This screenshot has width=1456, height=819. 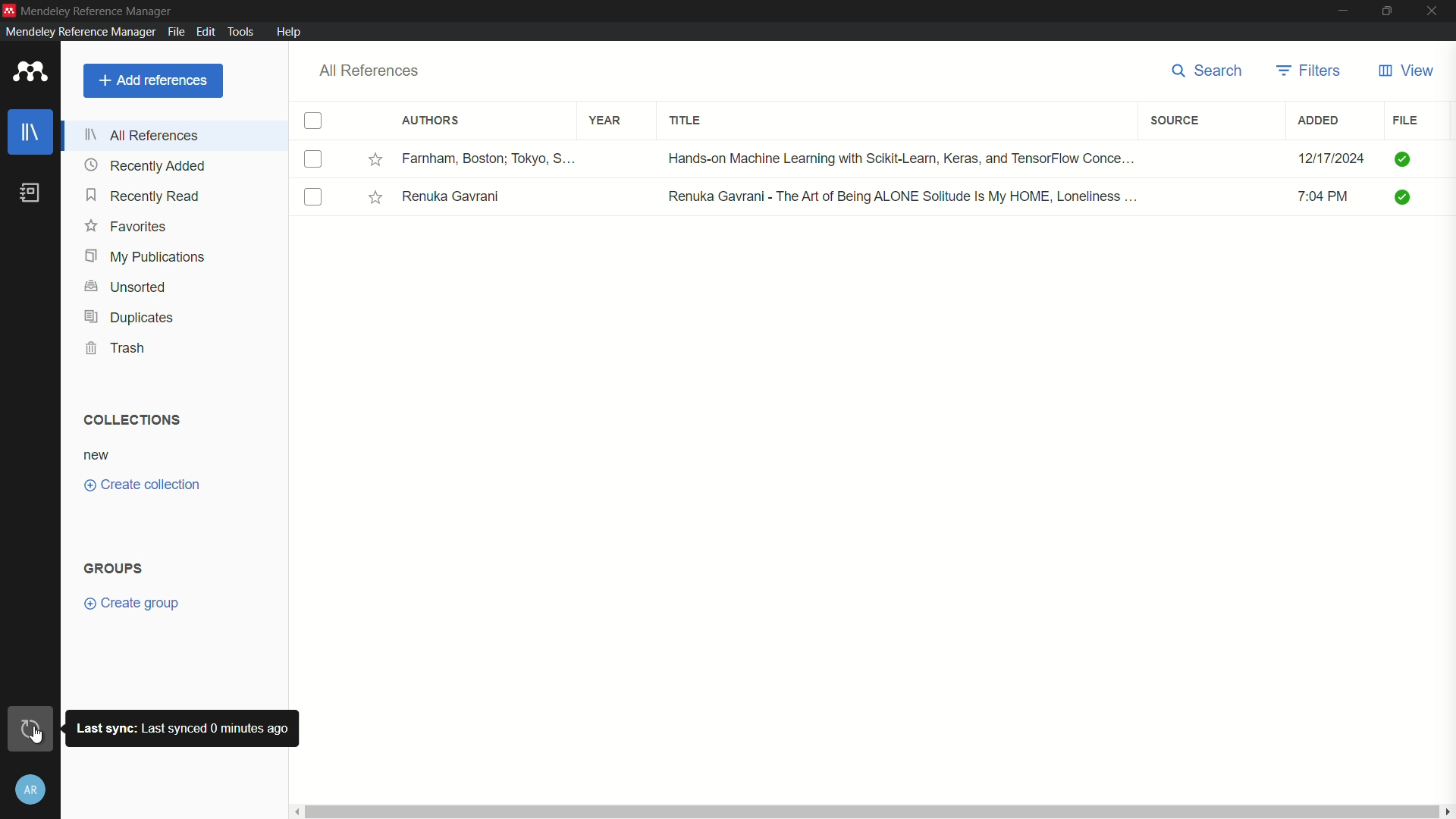 I want to click on books, so click(x=30, y=193).